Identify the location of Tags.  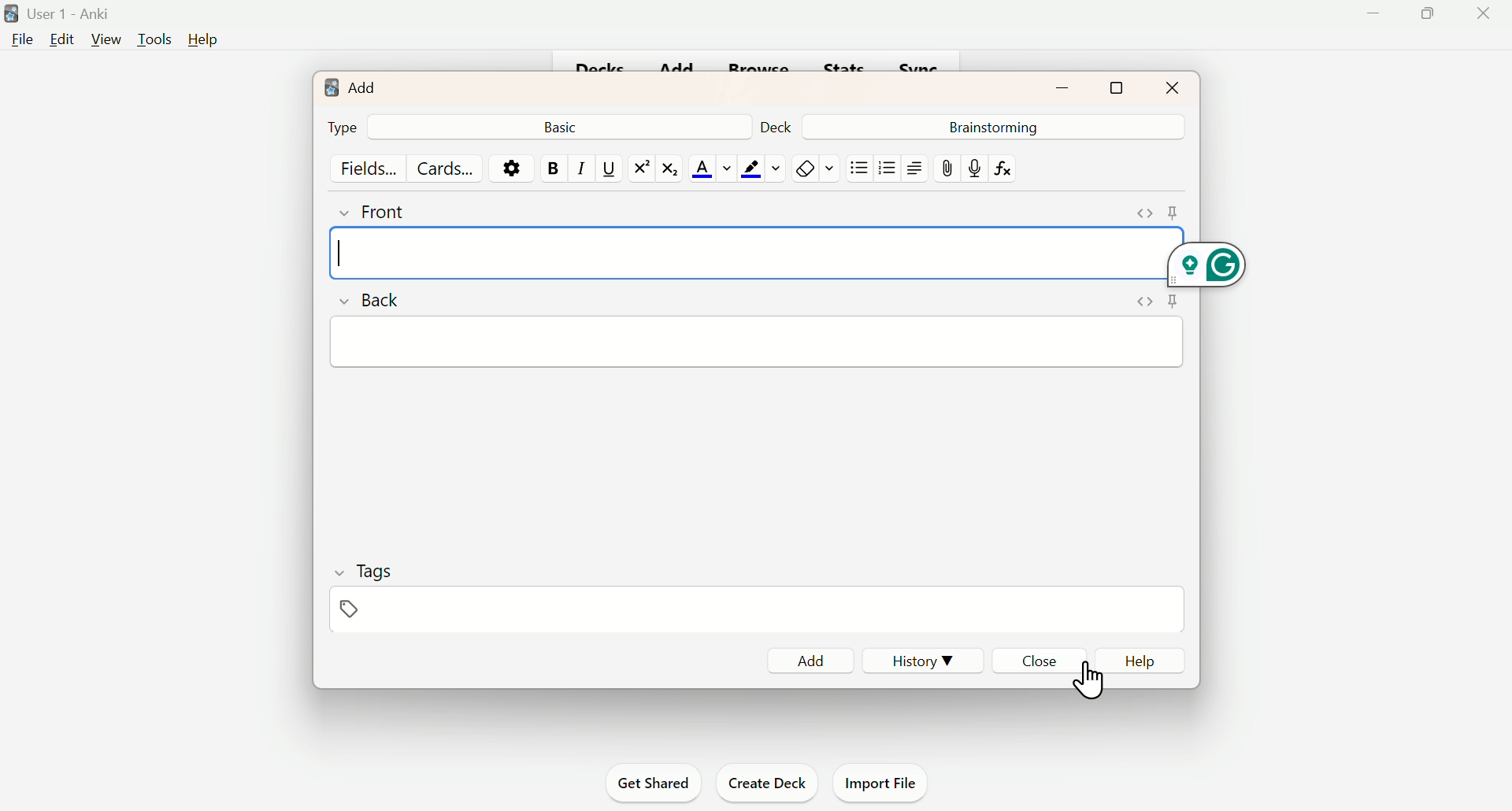
(365, 587).